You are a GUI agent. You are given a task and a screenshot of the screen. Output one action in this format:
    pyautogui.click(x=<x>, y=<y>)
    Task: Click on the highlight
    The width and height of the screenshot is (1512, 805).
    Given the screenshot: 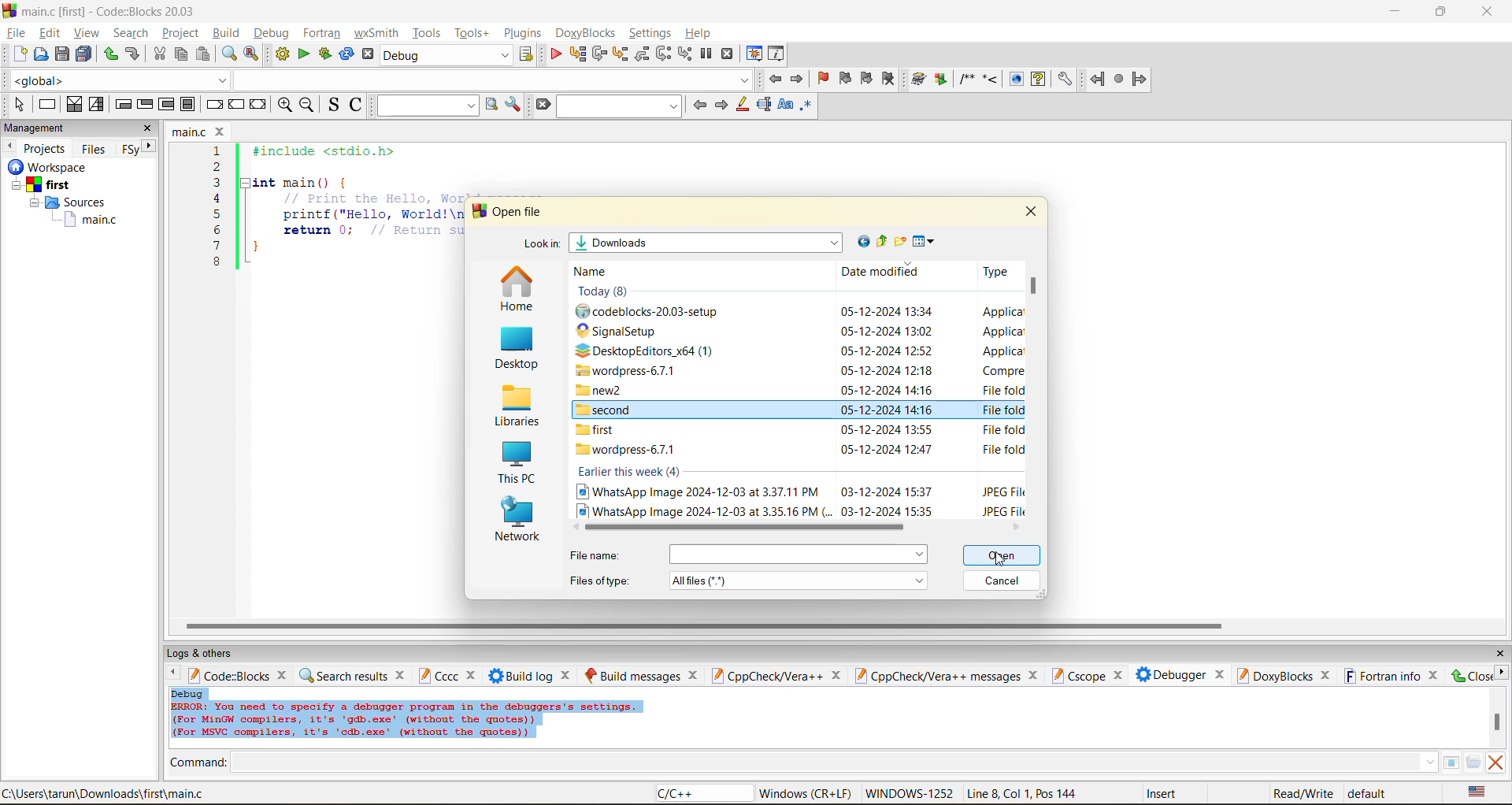 What is the action you would take?
    pyautogui.click(x=741, y=106)
    